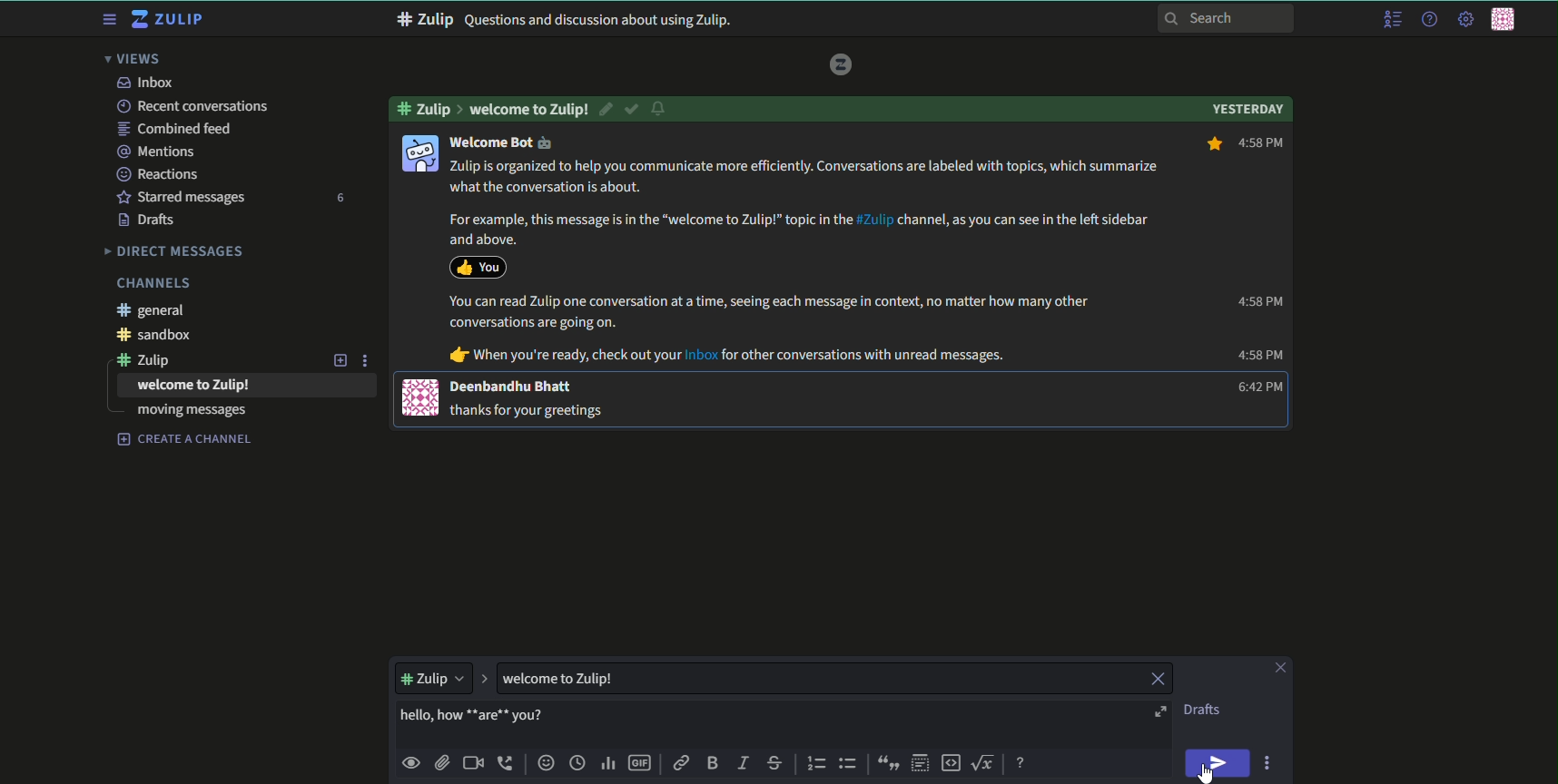  Describe the element at coordinates (681, 763) in the screenshot. I see `link` at that location.